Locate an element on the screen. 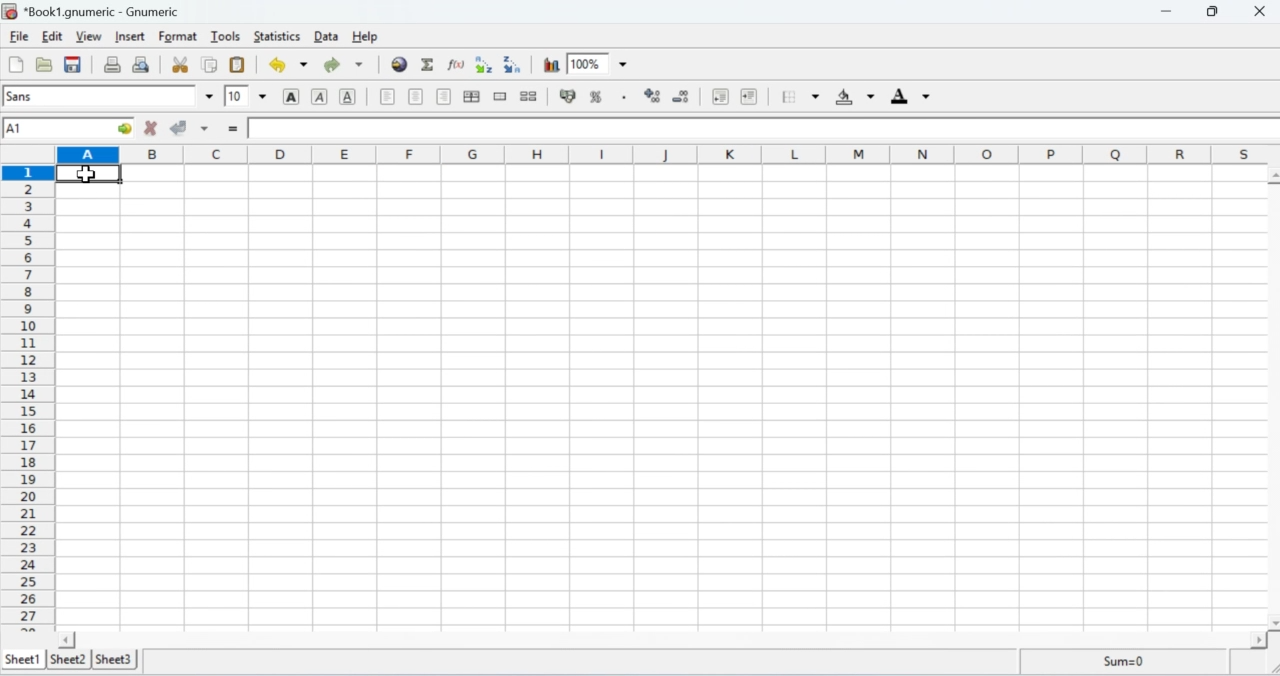  Merge a range of cells is located at coordinates (502, 97).